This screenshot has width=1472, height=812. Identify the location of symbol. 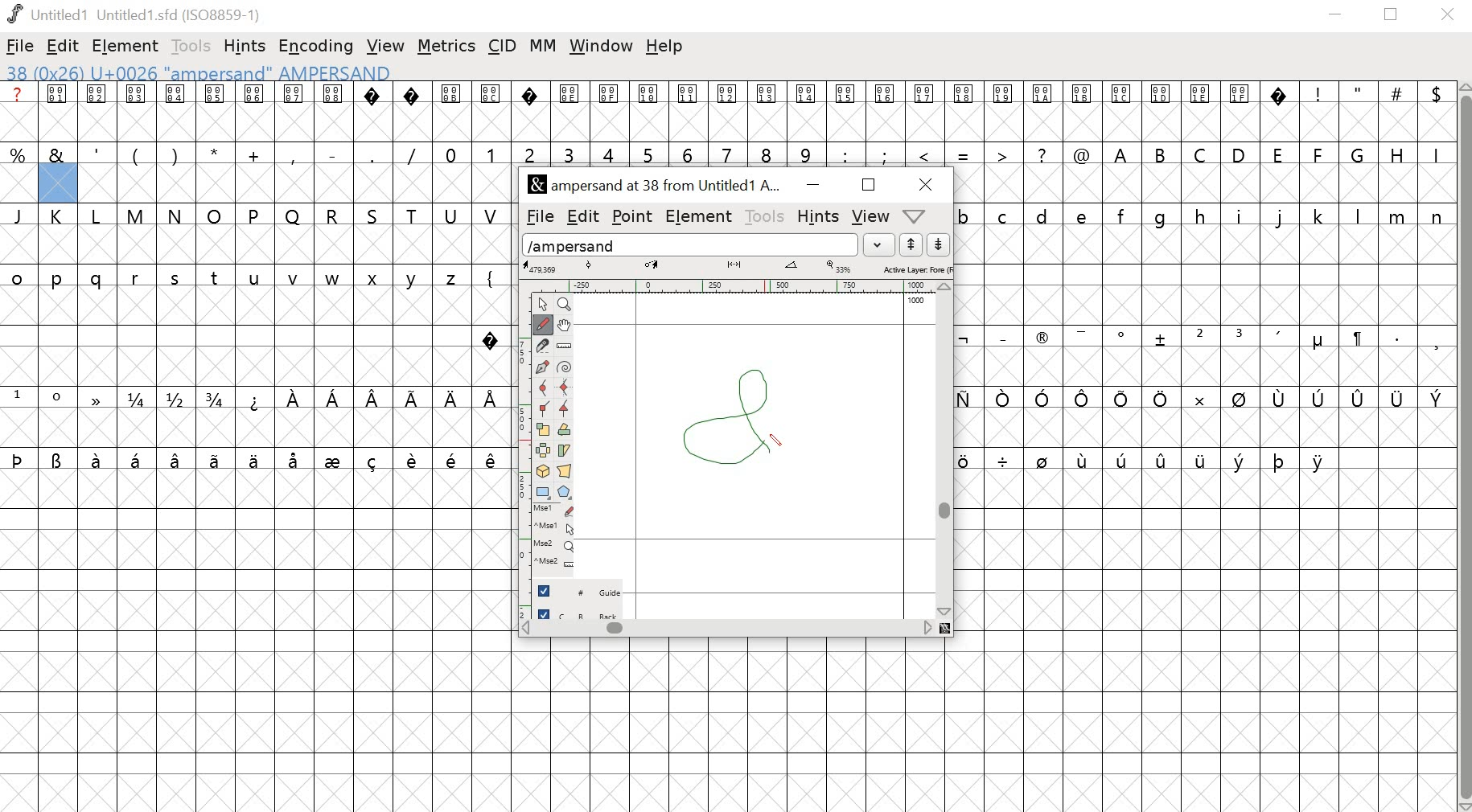
(1239, 399).